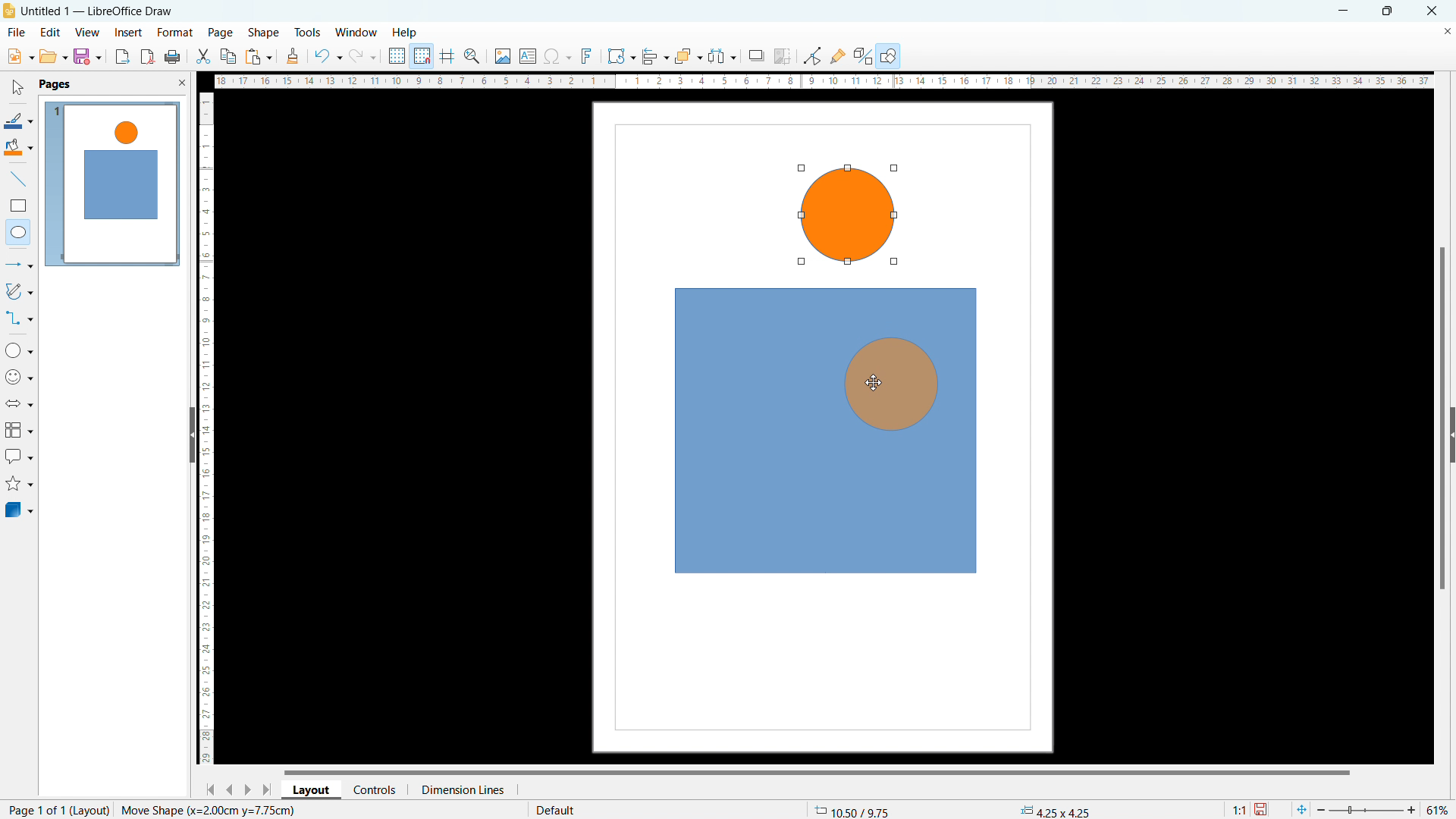 The width and height of the screenshot is (1456, 819). What do you see at coordinates (654, 56) in the screenshot?
I see `align object` at bounding box center [654, 56].